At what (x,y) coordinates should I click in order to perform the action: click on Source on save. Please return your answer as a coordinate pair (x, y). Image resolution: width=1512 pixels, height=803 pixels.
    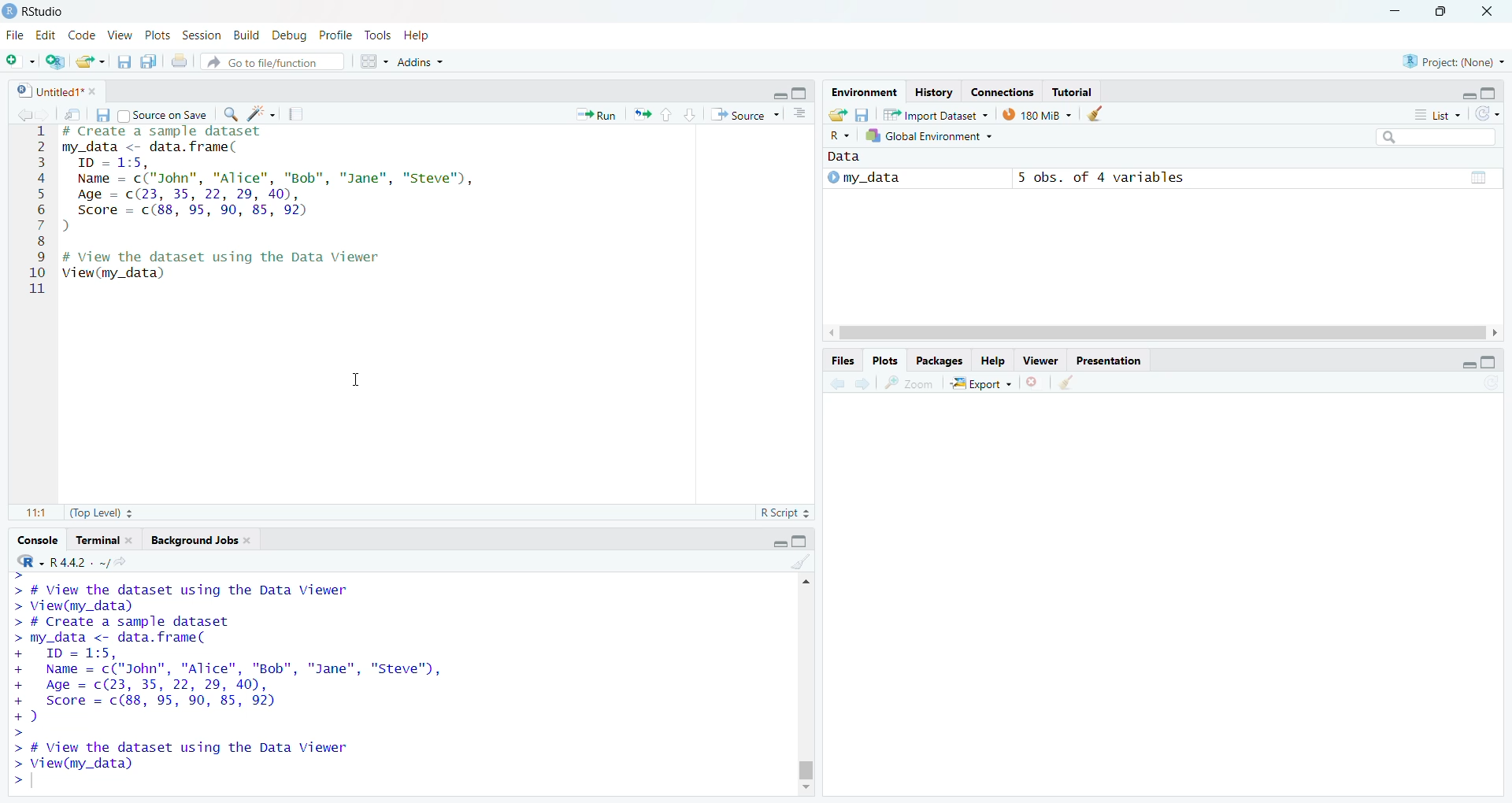
    Looking at the image, I should click on (161, 115).